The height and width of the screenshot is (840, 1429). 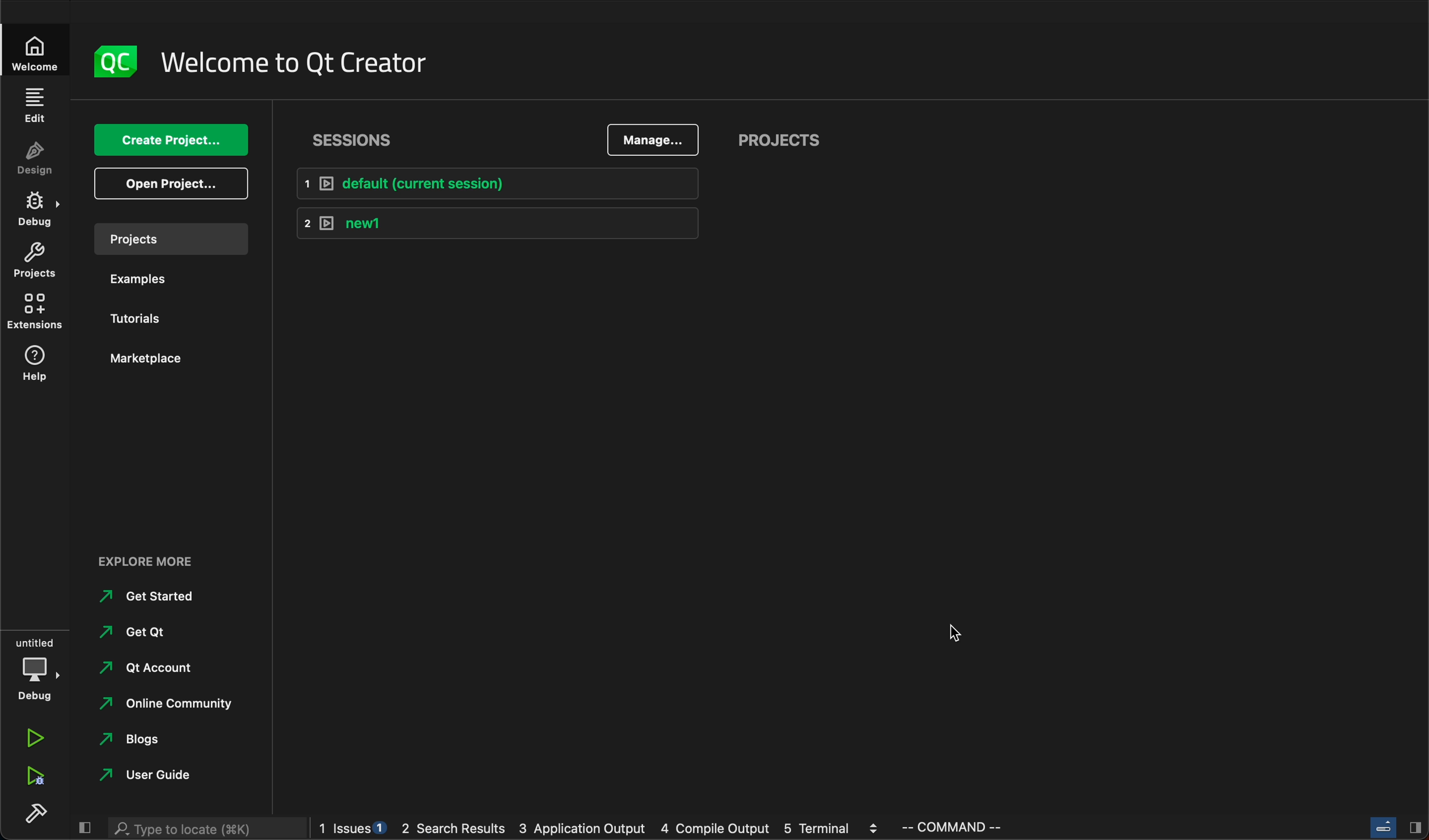 What do you see at coordinates (35, 737) in the screenshot?
I see `run` at bounding box center [35, 737].